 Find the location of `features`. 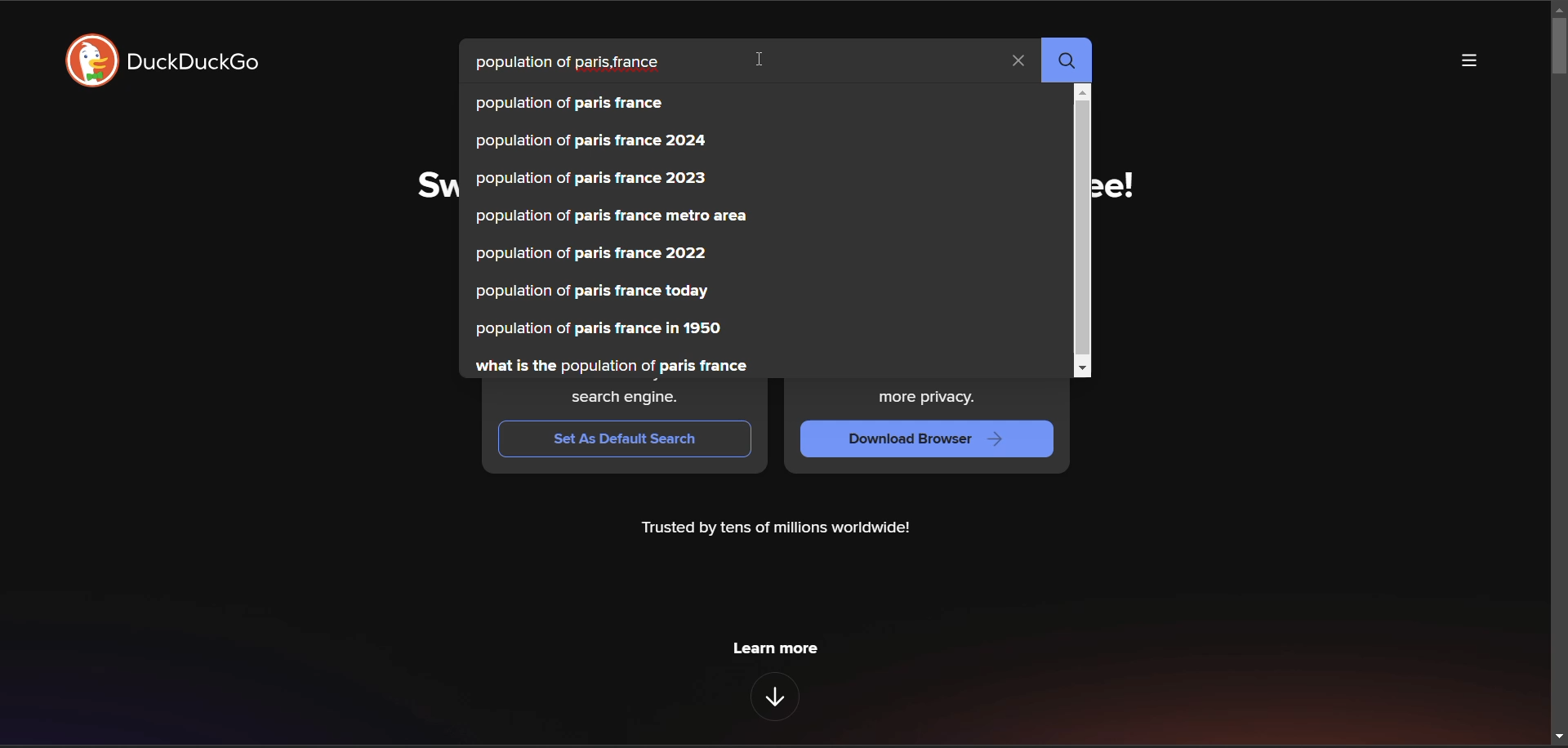

features is located at coordinates (773, 698).